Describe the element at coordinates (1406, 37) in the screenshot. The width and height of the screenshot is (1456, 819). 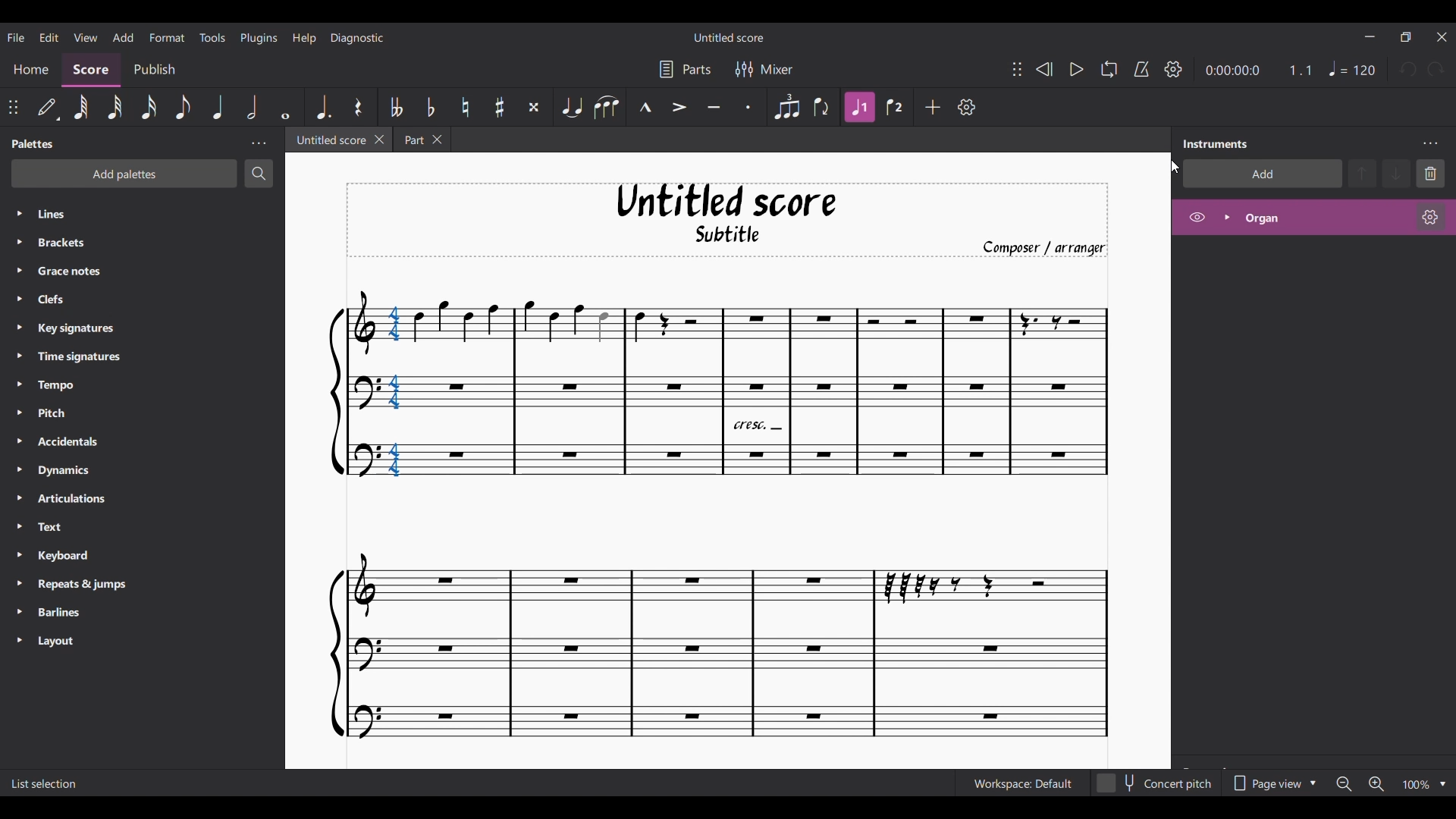
I see `Show interface in a smaller tab` at that location.